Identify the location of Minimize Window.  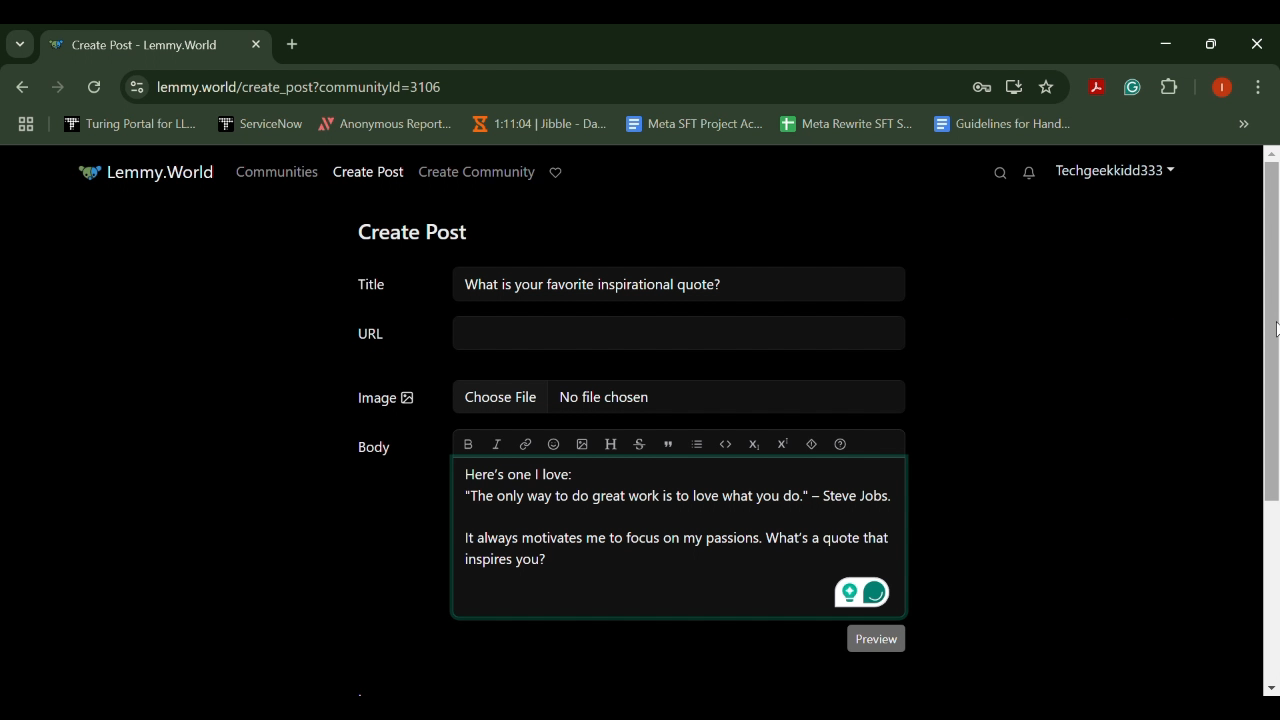
(1214, 43).